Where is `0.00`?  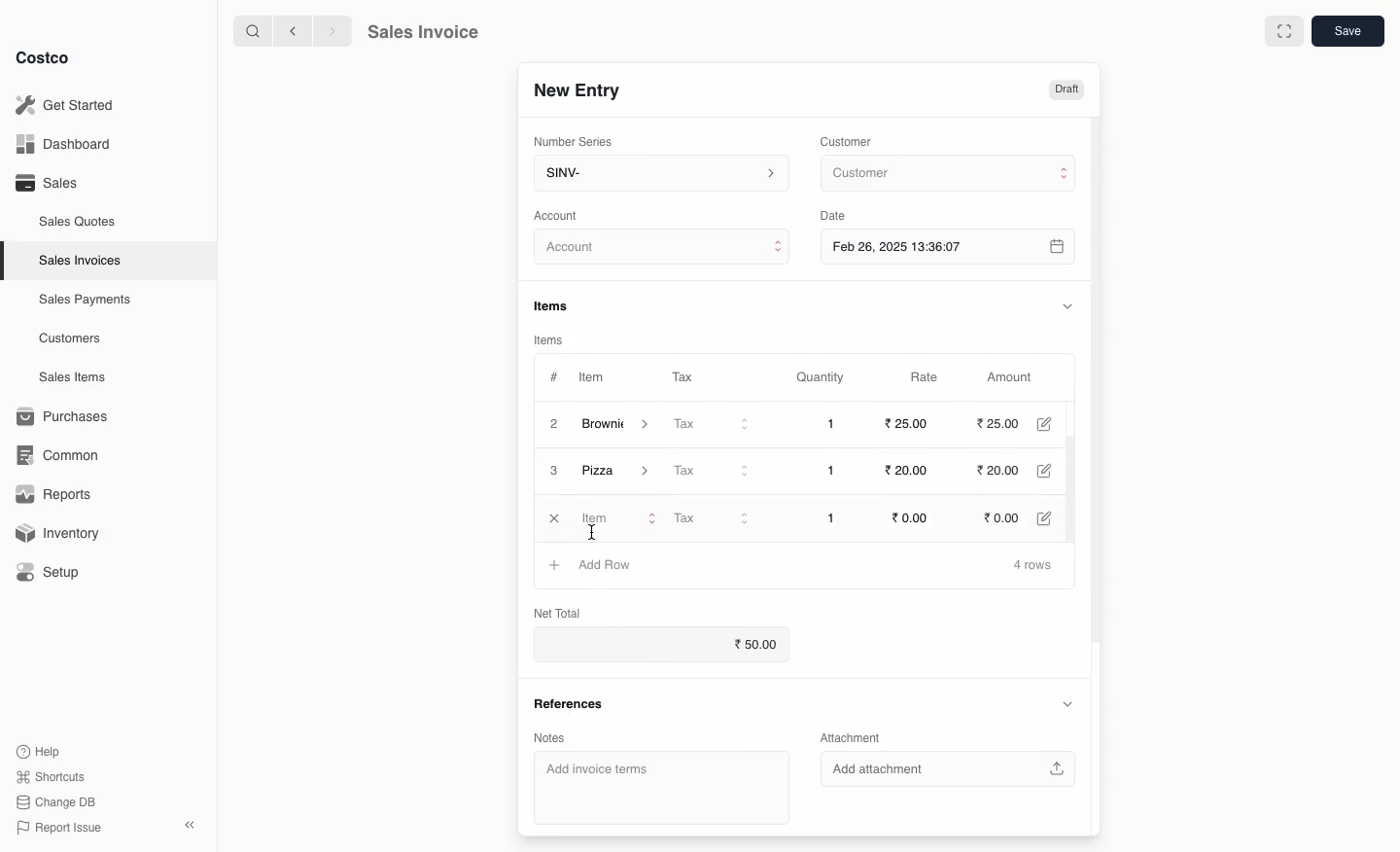 0.00 is located at coordinates (1004, 516).